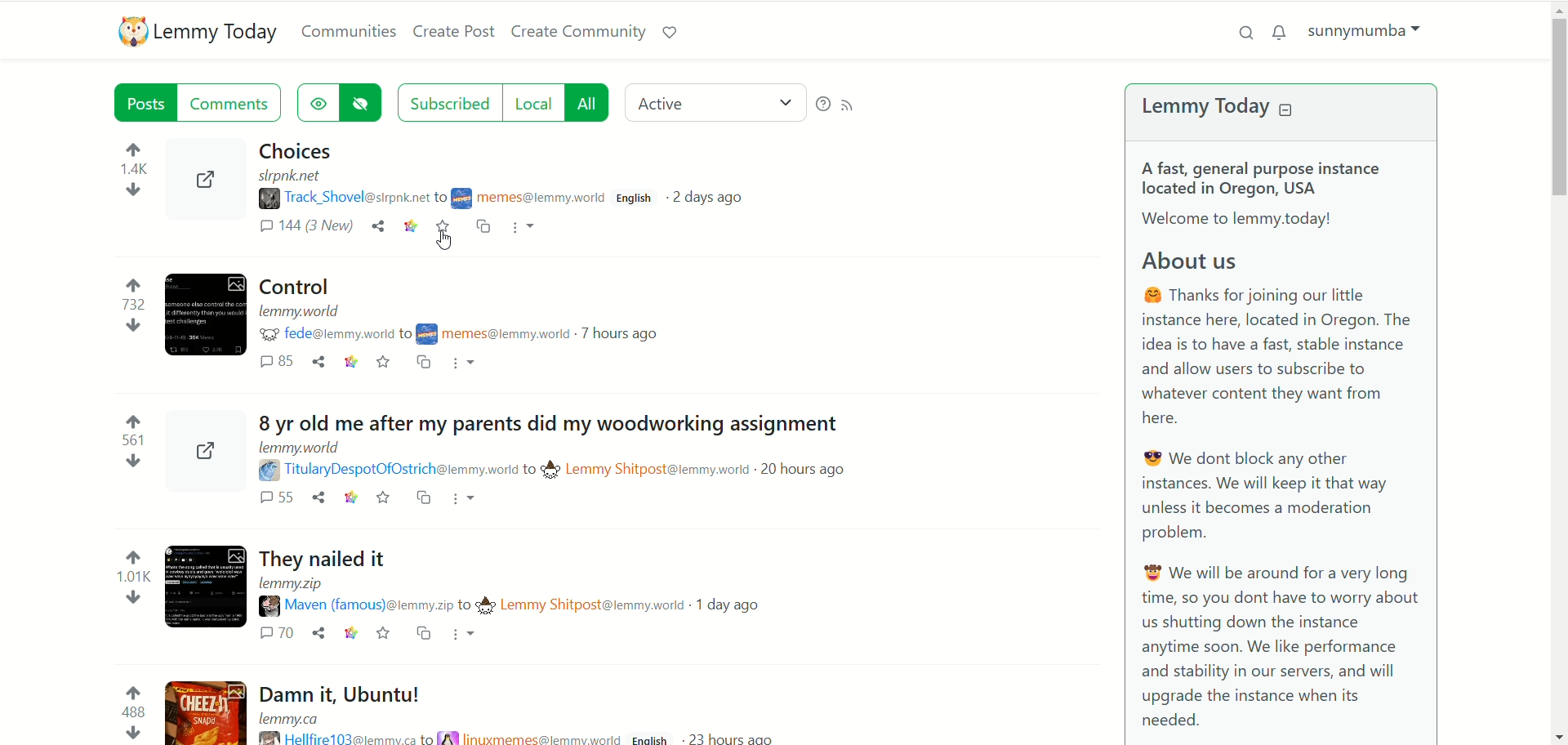  Describe the element at coordinates (1558, 372) in the screenshot. I see `vertical scroll bar` at that location.